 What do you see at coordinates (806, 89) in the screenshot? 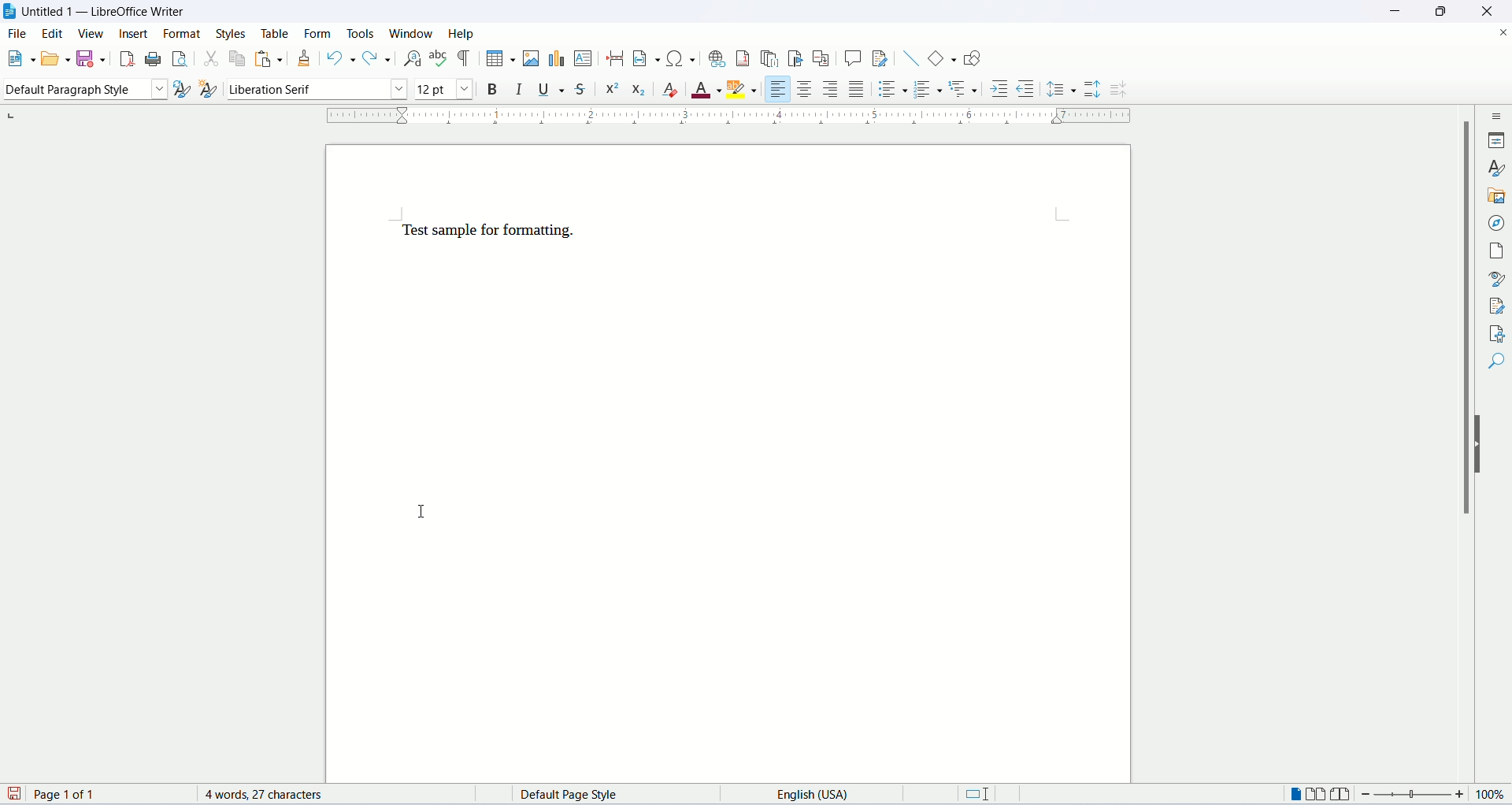
I see `align center` at bounding box center [806, 89].